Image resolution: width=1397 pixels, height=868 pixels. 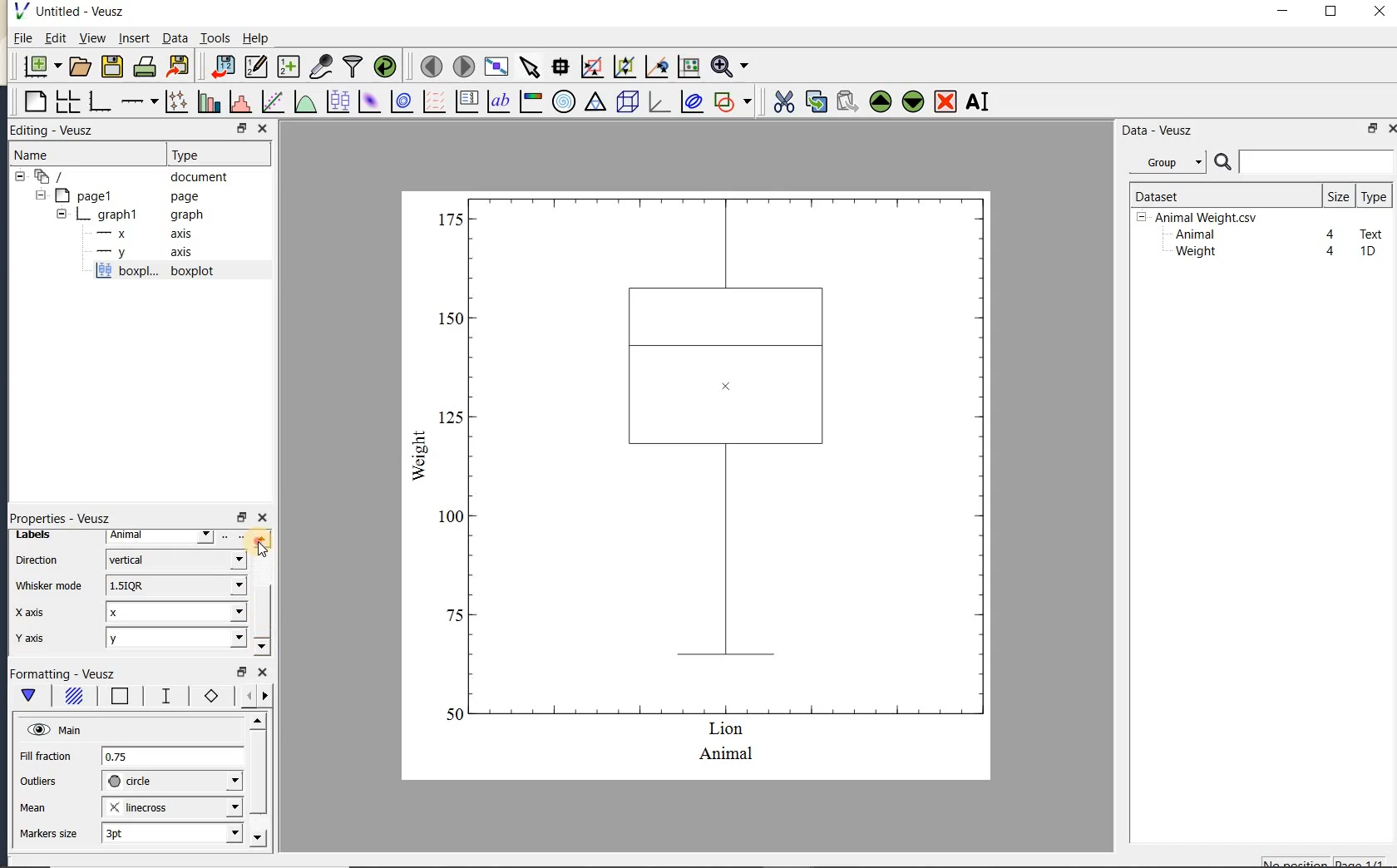 I want to click on whisker line, so click(x=163, y=696).